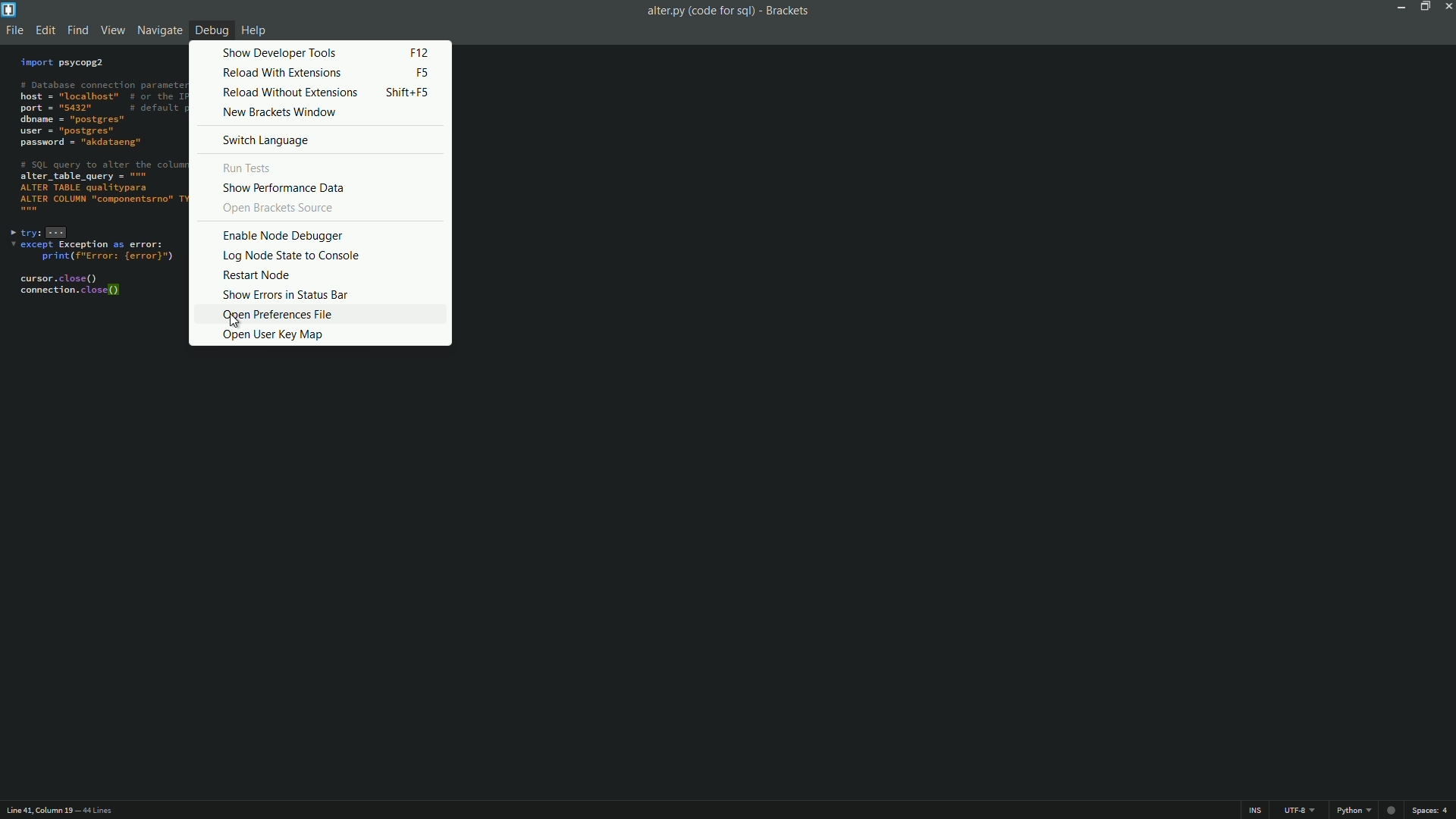 Image resolution: width=1456 pixels, height=819 pixels. Describe the element at coordinates (318, 233) in the screenshot. I see `Enable node debugger` at that location.